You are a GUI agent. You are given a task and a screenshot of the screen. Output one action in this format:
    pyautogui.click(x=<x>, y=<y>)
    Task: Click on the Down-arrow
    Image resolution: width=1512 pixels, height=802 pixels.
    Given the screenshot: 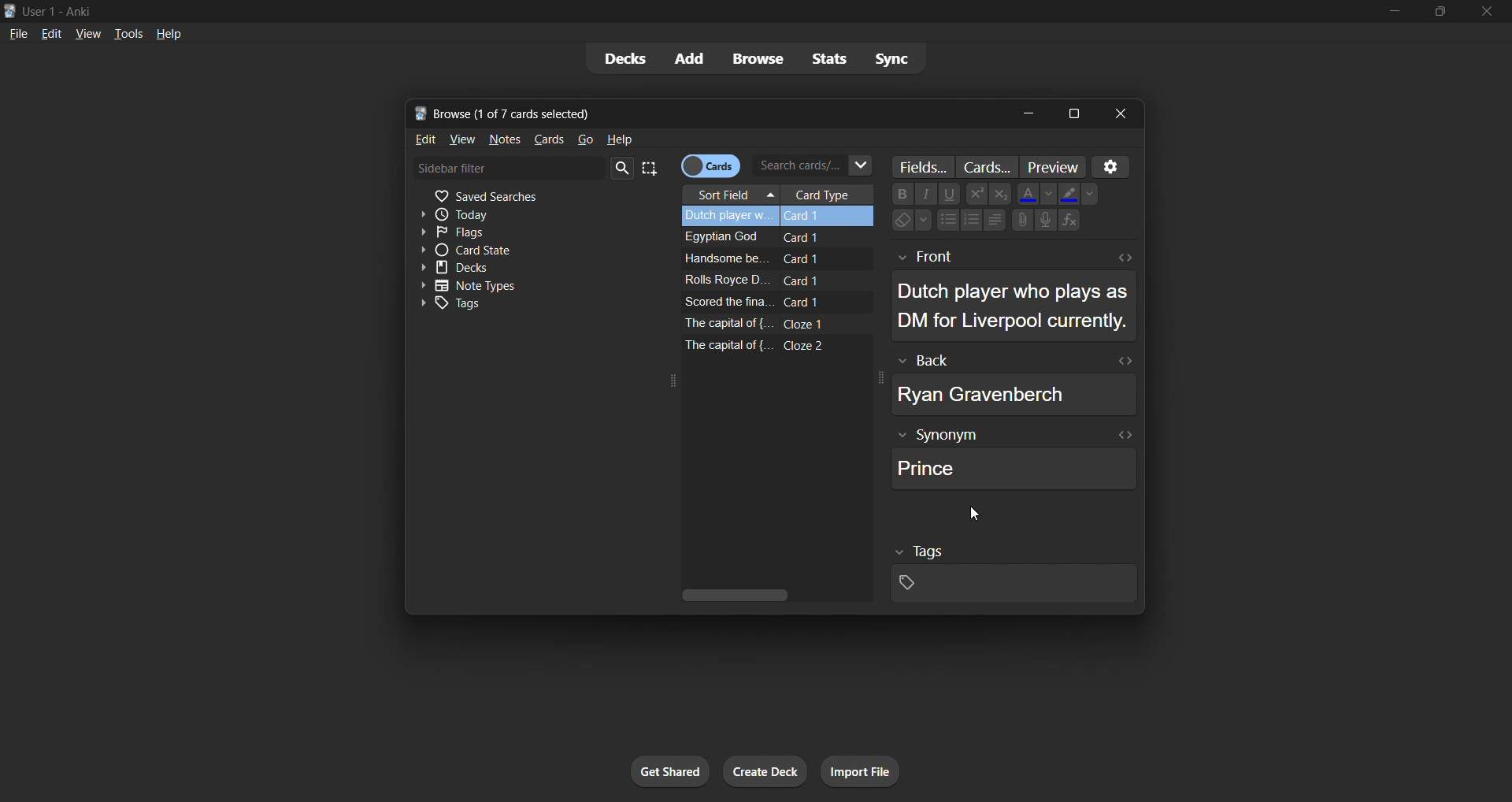 What is the action you would take?
    pyautogui.click(x=925, y=221)
    